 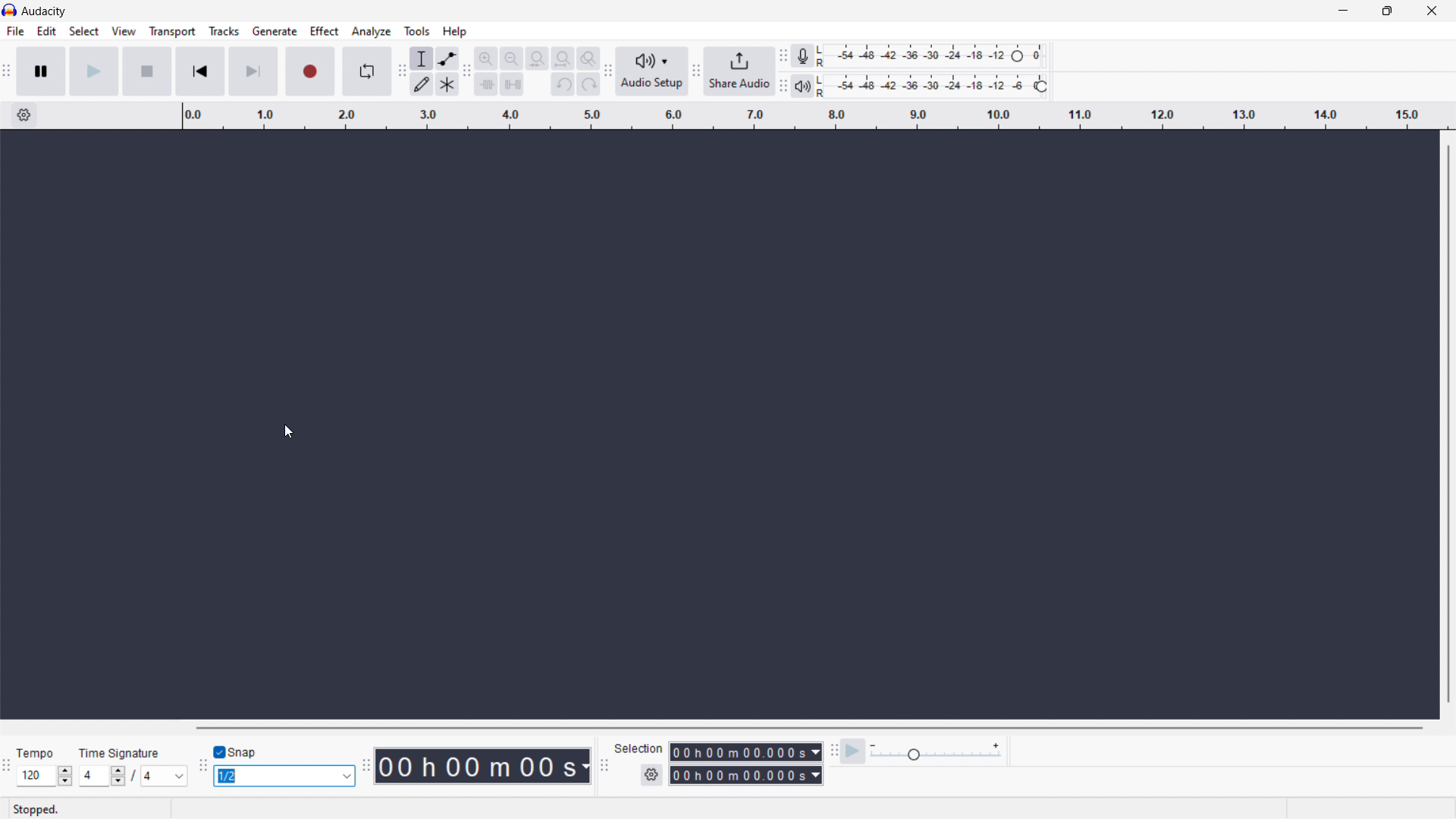 I want to click on enable looping, so click(x=366, y=71).